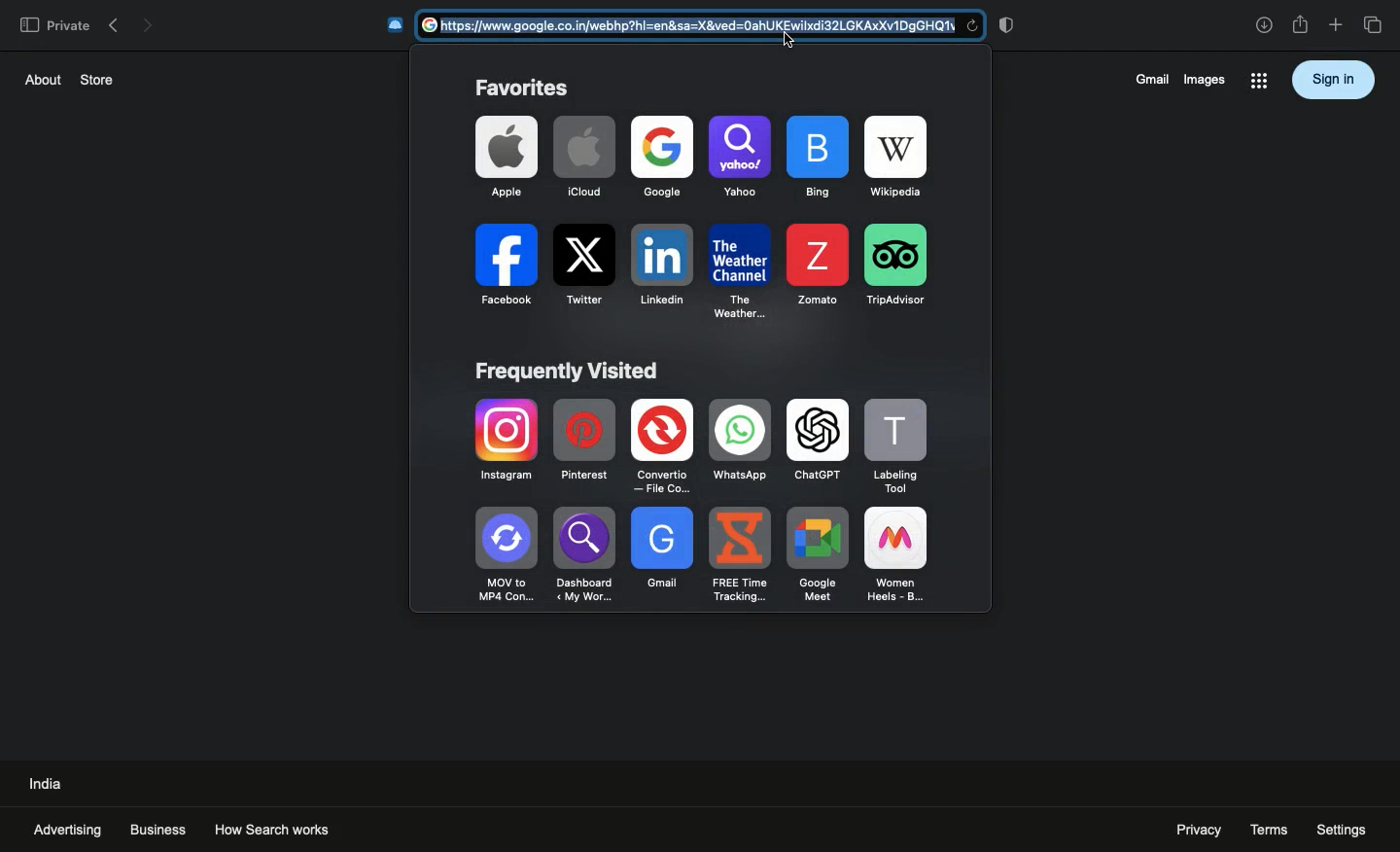 This screenshot has width=1400, height=852. I want to click on settings, so click(1343, 829).